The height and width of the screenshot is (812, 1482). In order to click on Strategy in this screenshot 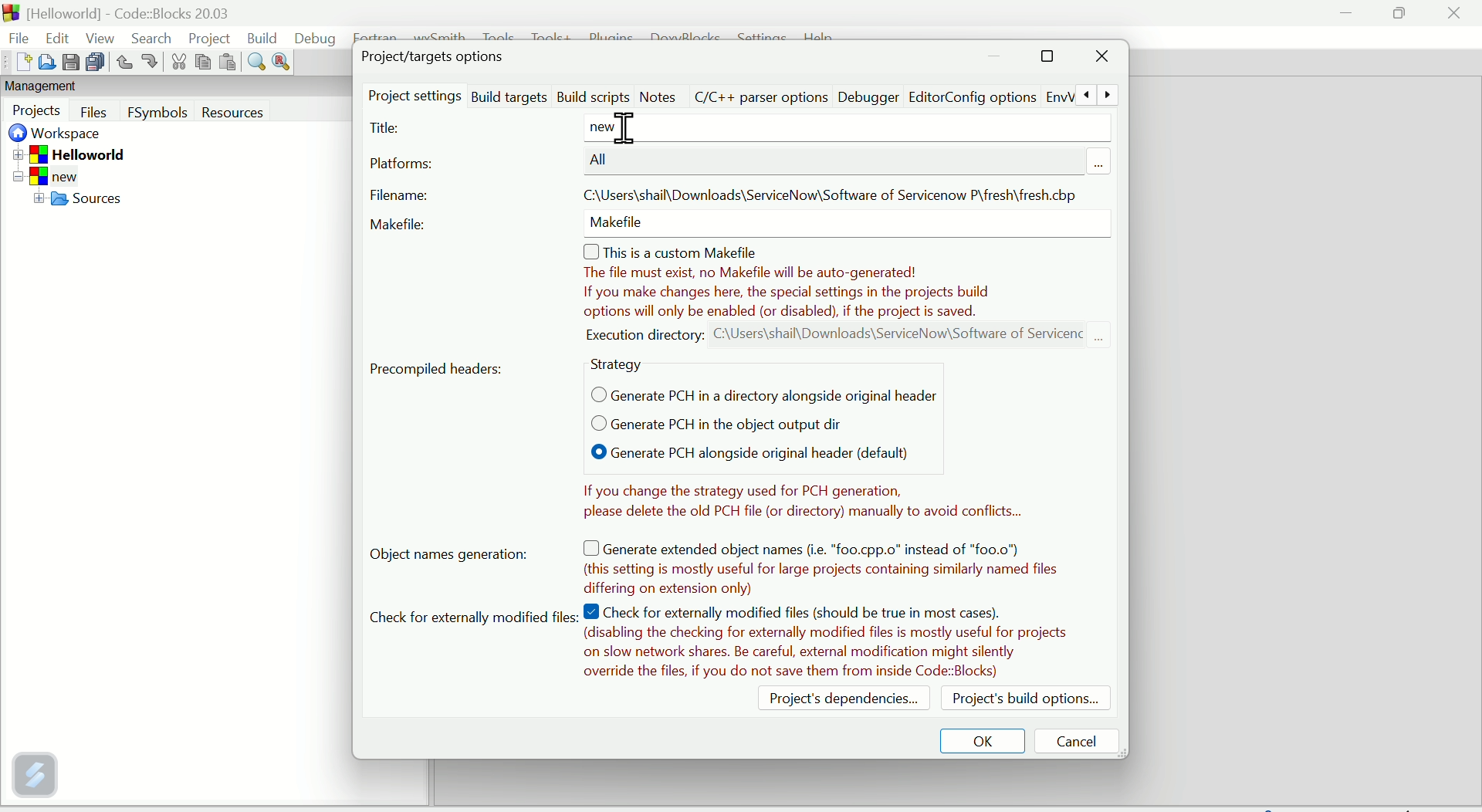, I will do `click(621, 365)`.